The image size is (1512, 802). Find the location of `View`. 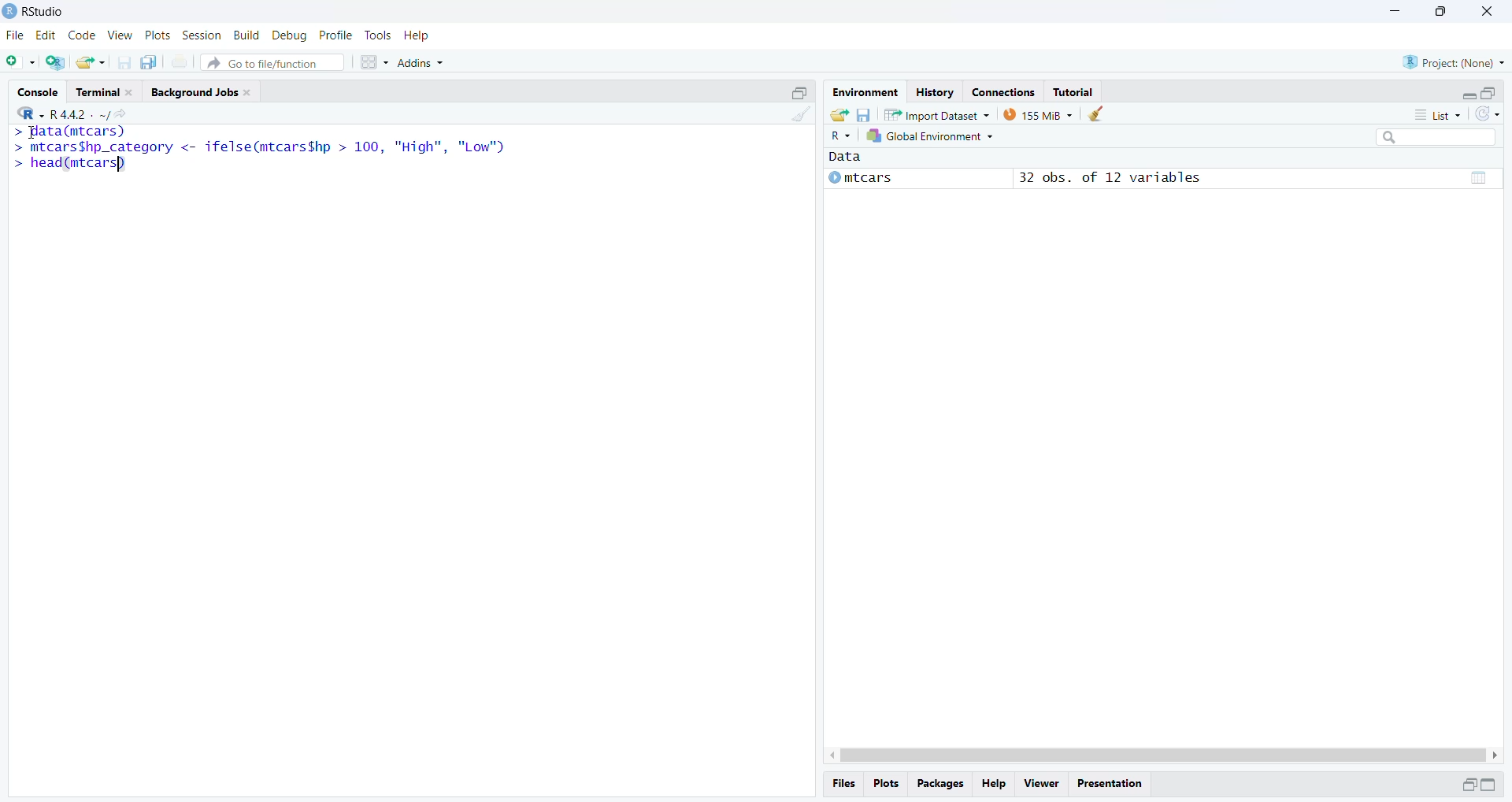

View is located at coordinates (119, 35).